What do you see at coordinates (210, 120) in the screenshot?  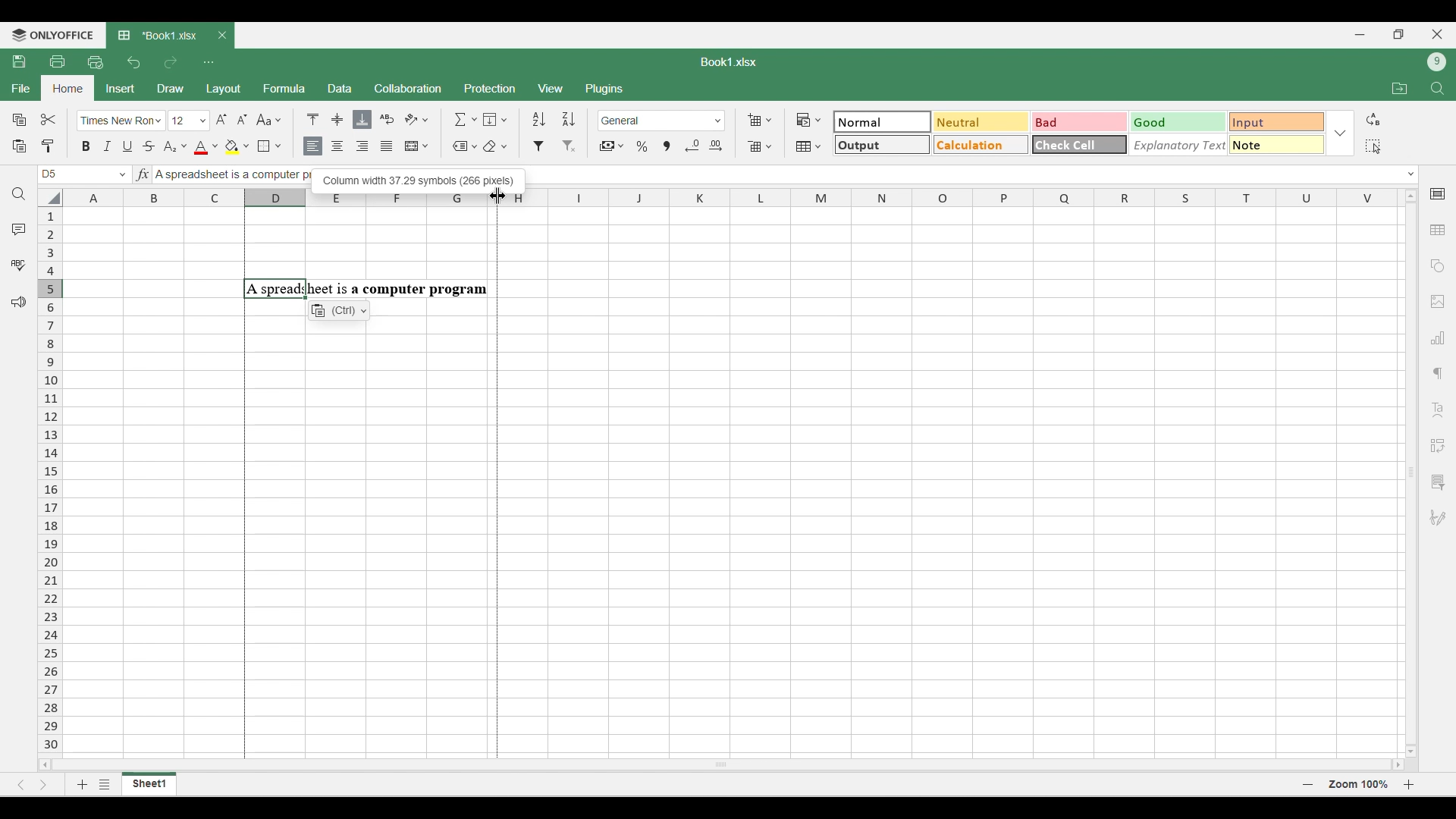 I see `Text size settings` at bounding box center [210, 120].